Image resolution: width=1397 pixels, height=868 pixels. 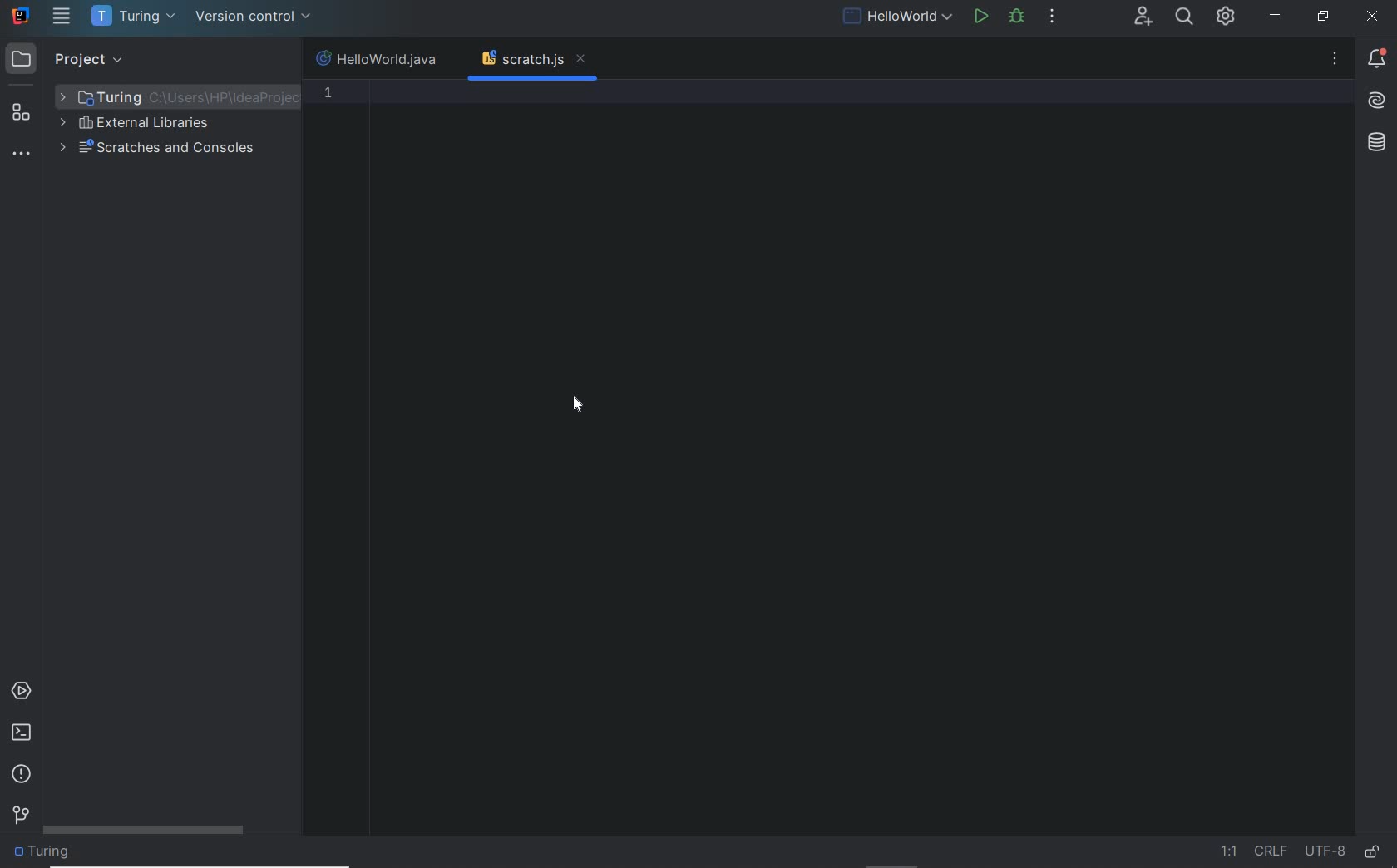 I want to click on RESTORE DOWN, so click(x=1321, y=18).